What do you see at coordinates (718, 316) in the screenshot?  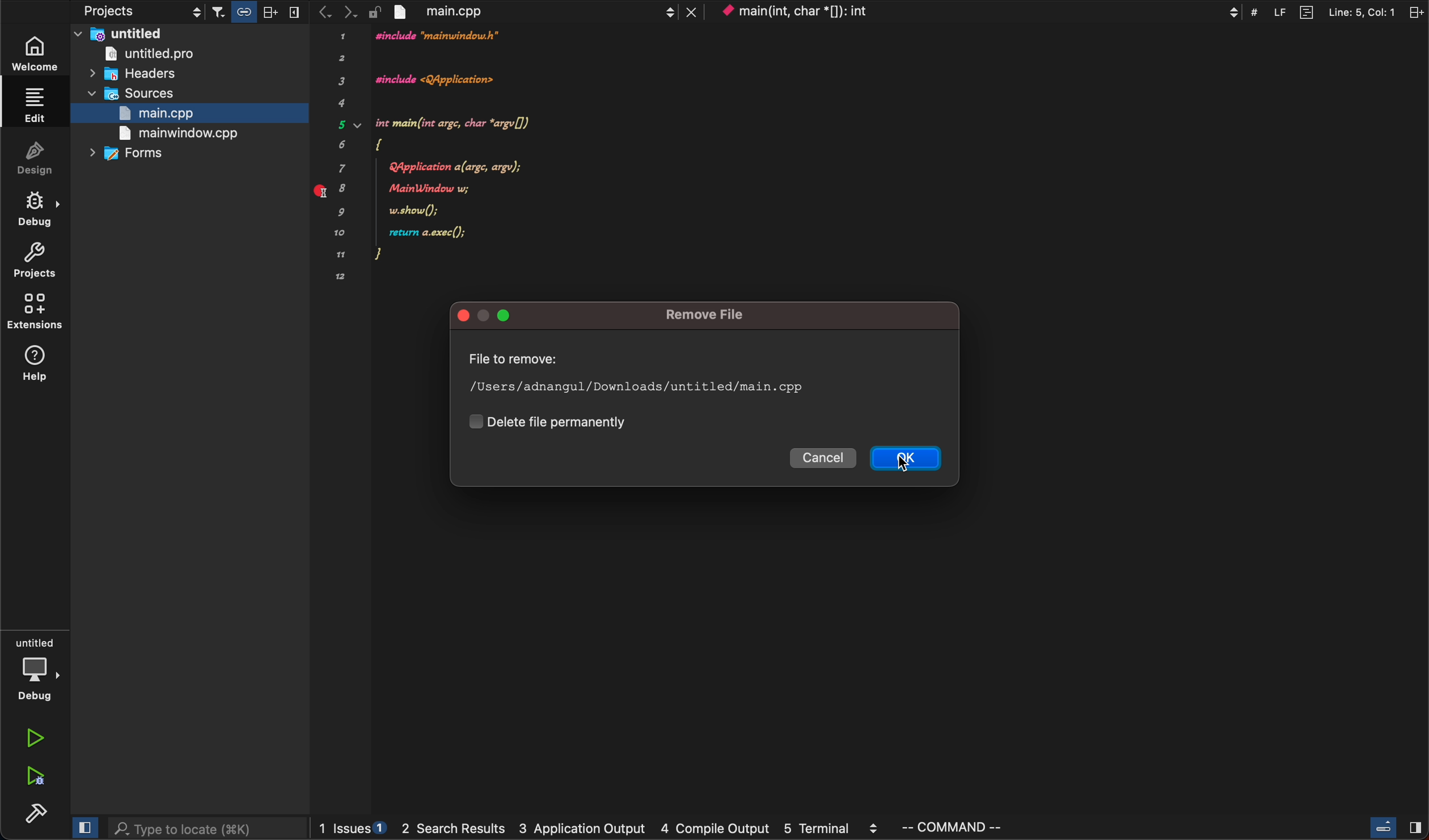 I see `remove files` at bounding box center [718, 316].